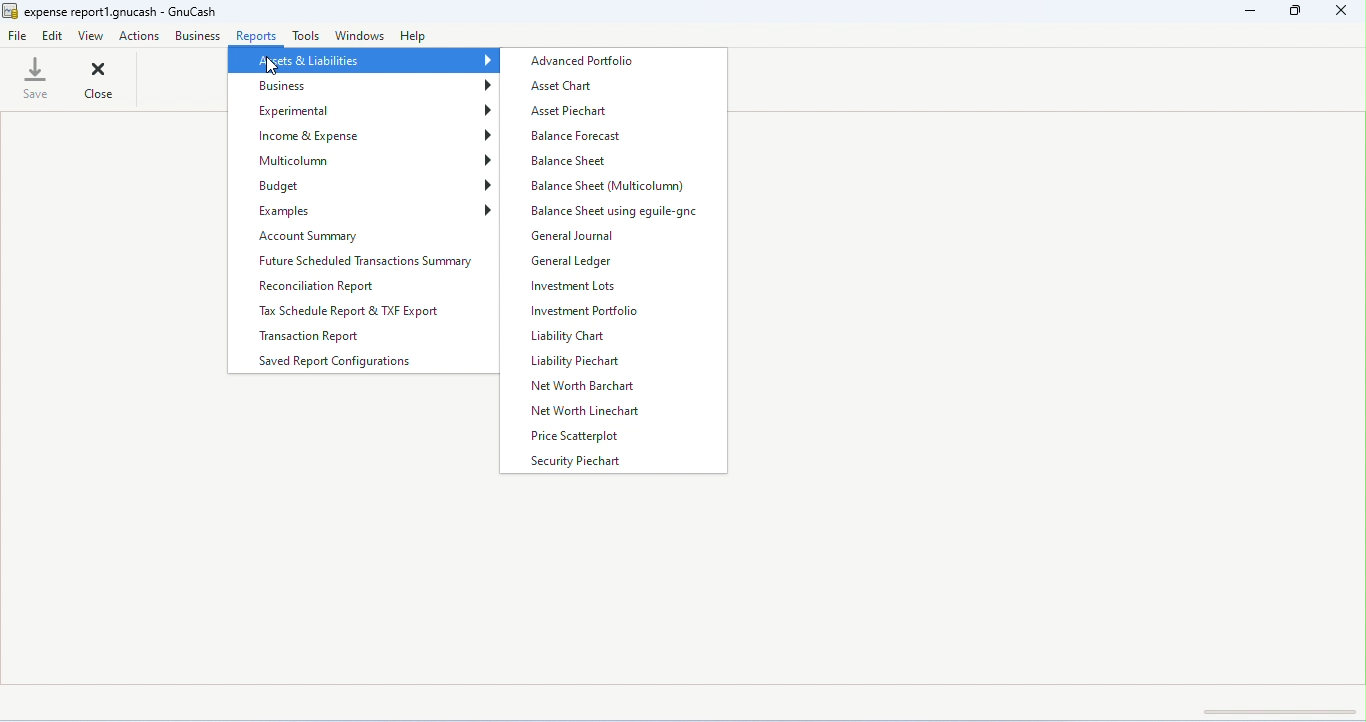 Image resolution: width=1366 pixels, height=722 pixels. What do you see at coordinates (578, 137) in the screenshot?
I see `balance forecast` at bounding box center [578, 137].